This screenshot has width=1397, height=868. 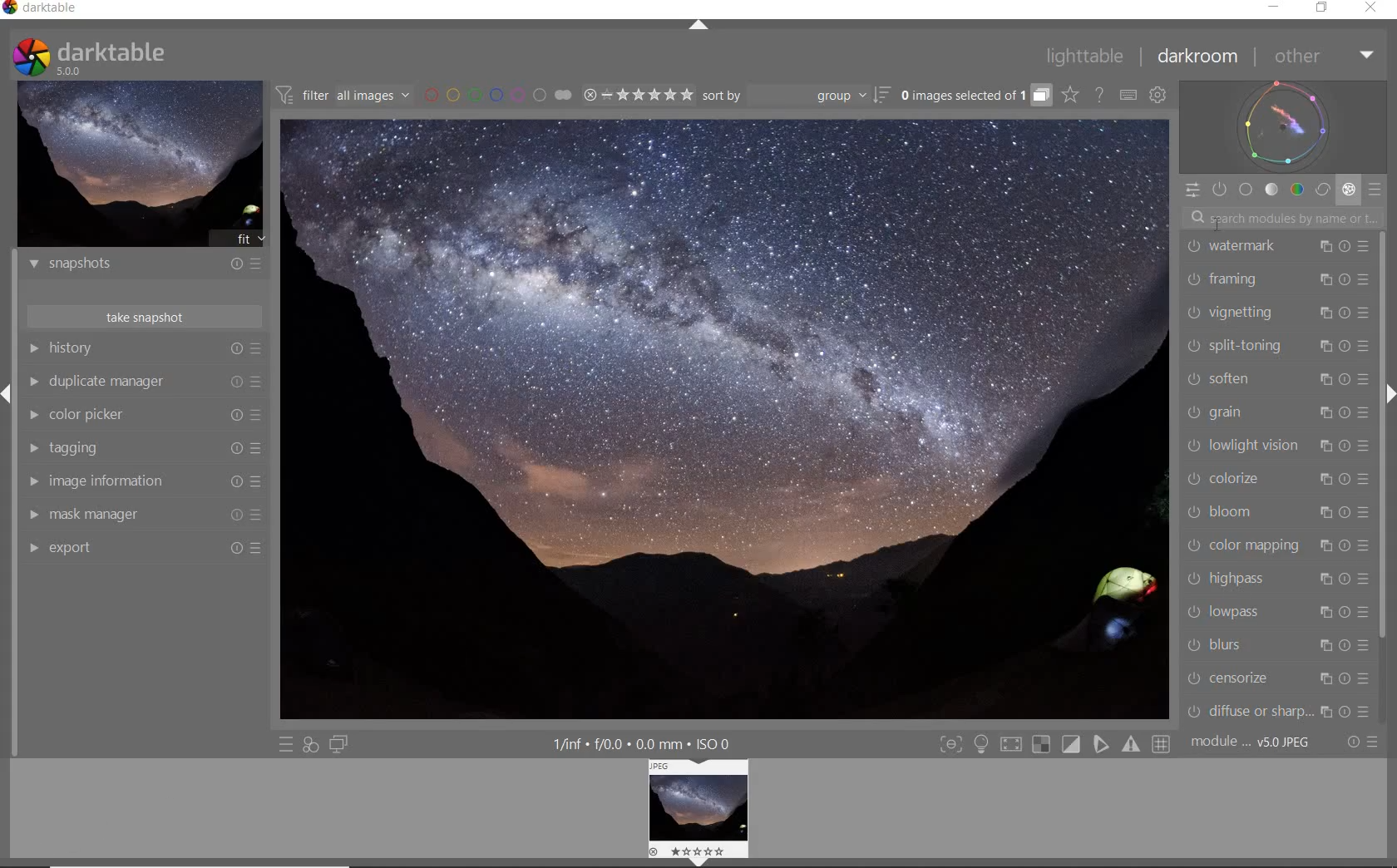 What do you see at coordinates (235, 349) in the screenshot?
I see `reset` at bounding box center [235, 349].